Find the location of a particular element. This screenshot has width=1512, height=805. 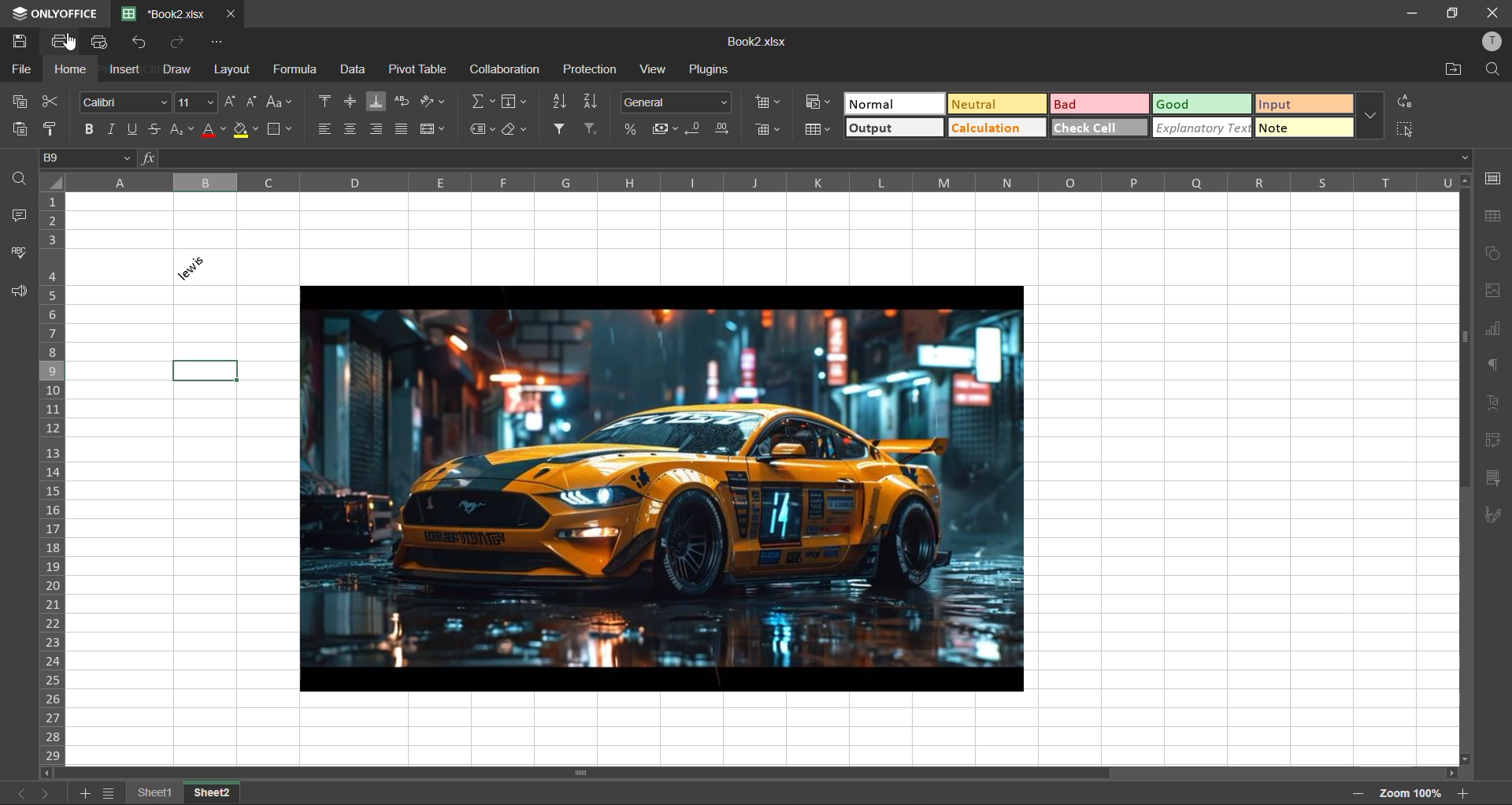

sort ascending is located at coordinates (558, 102).